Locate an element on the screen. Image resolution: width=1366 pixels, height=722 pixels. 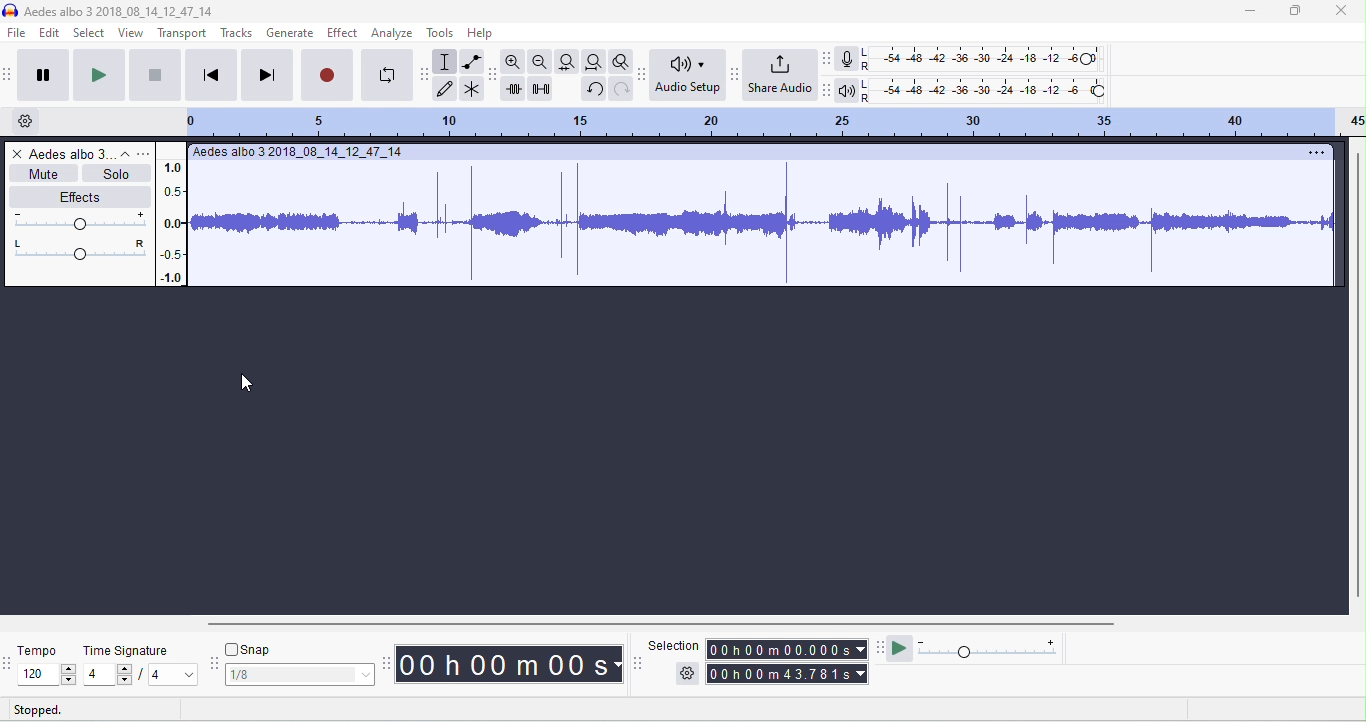
looping region is located at coordinates (775, 125).